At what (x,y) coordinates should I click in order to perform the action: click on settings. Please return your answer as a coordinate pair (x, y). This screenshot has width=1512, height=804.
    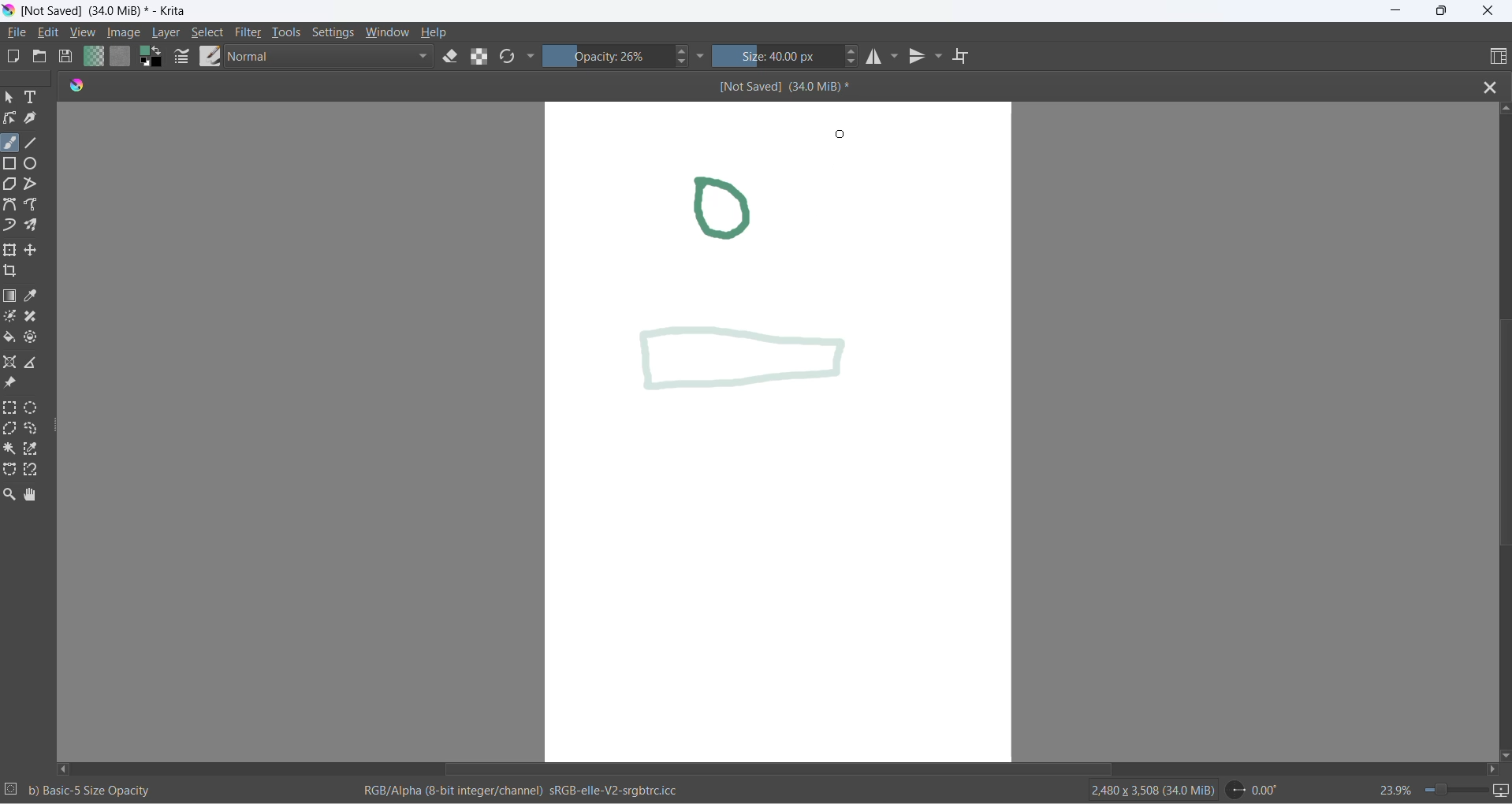
    Looking at the image, I should click on (331, 33).